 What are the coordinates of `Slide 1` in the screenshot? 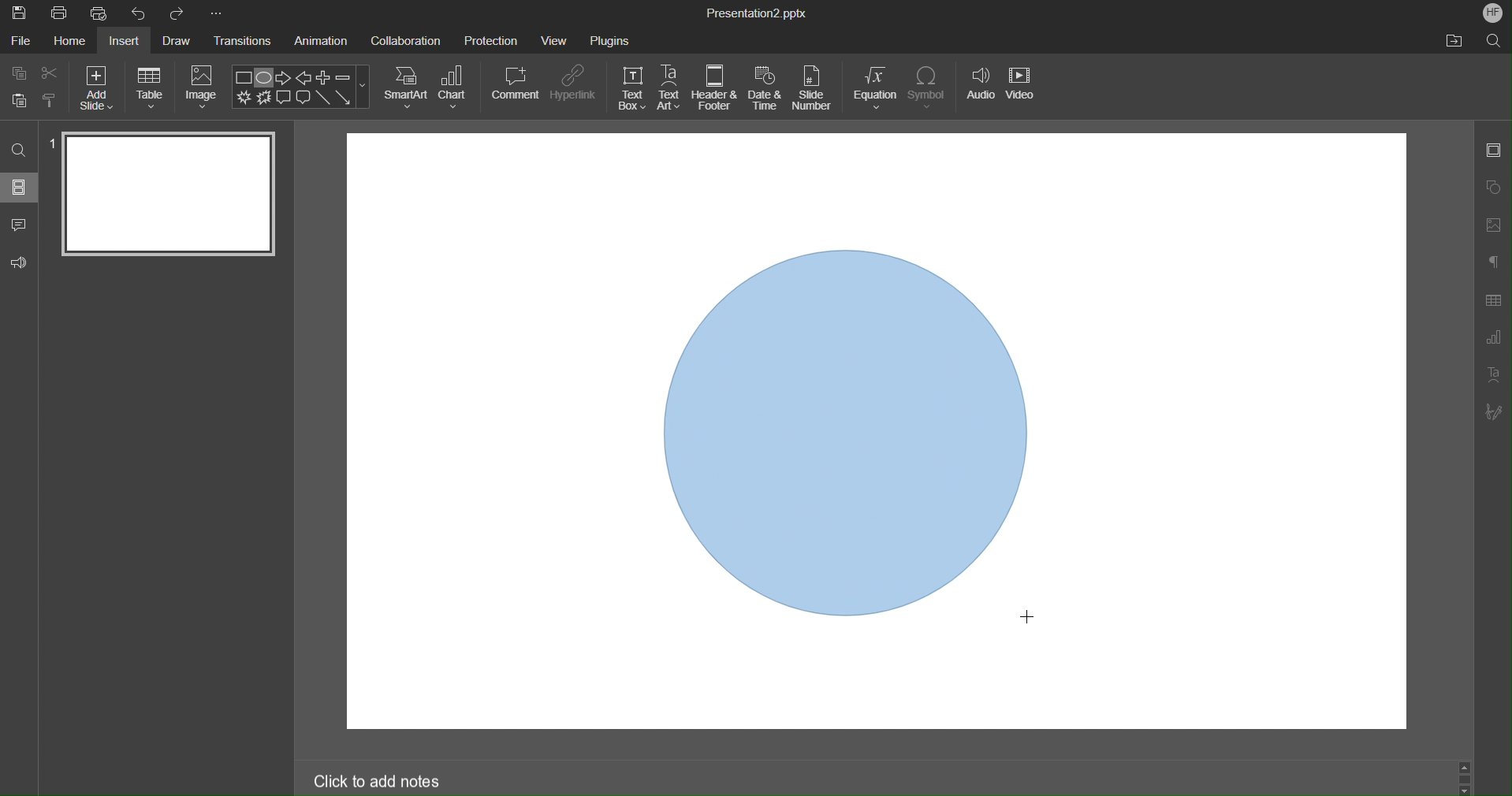 It's located at (166, 193).